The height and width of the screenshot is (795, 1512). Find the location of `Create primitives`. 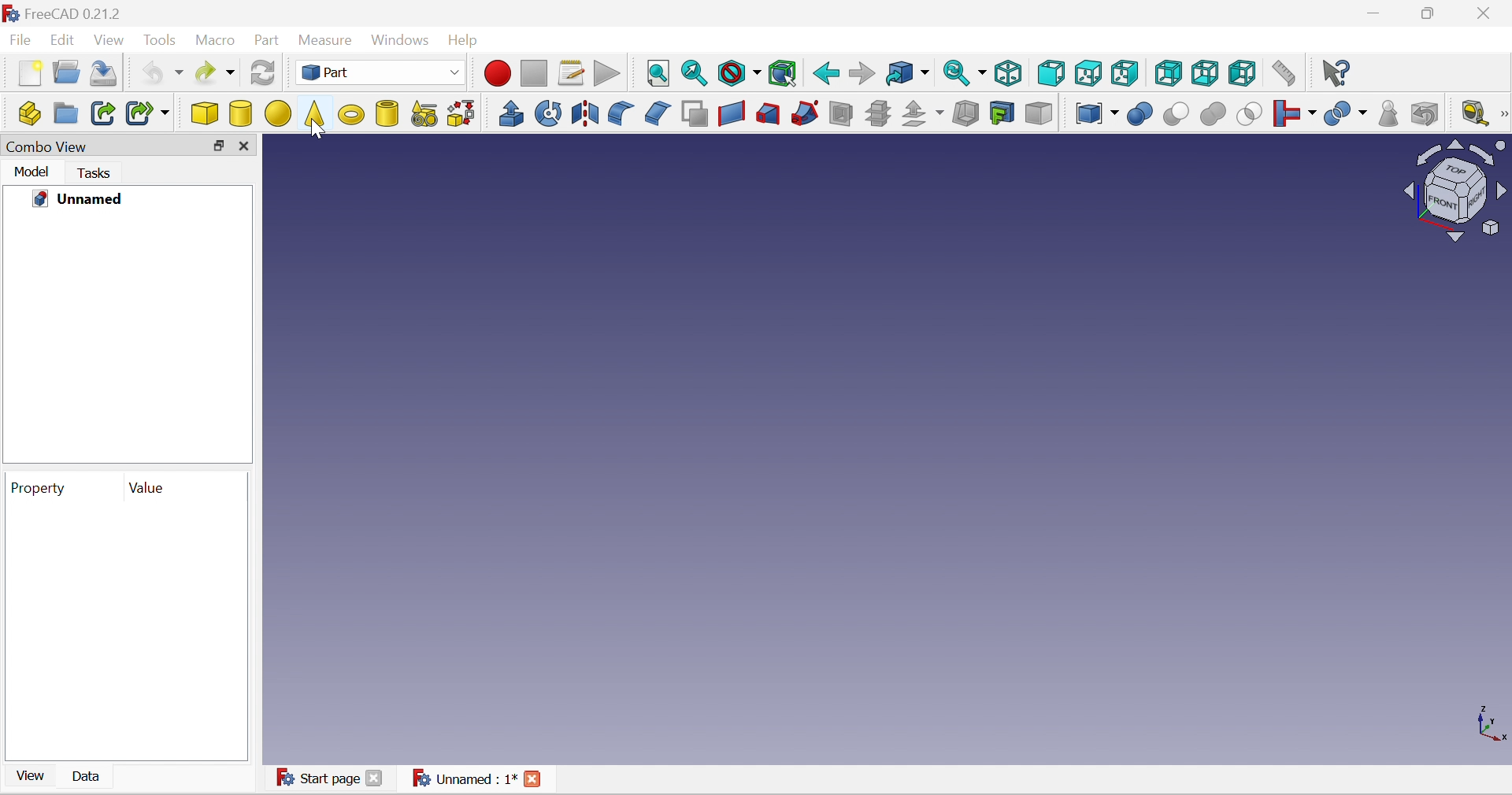

Create primitives is located at coordinates (425, 114).